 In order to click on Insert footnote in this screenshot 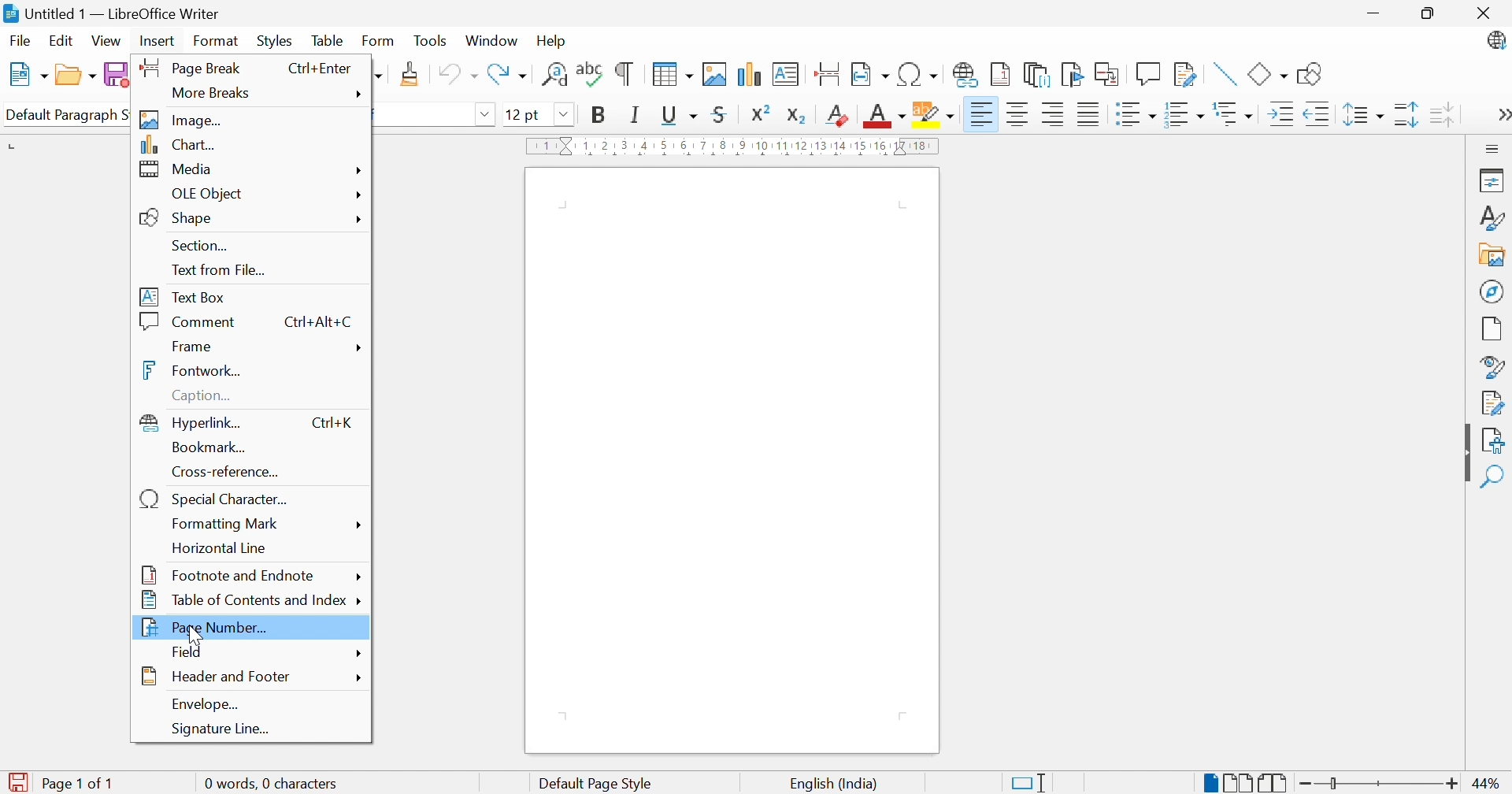, I will do `click(1002, 74)`.